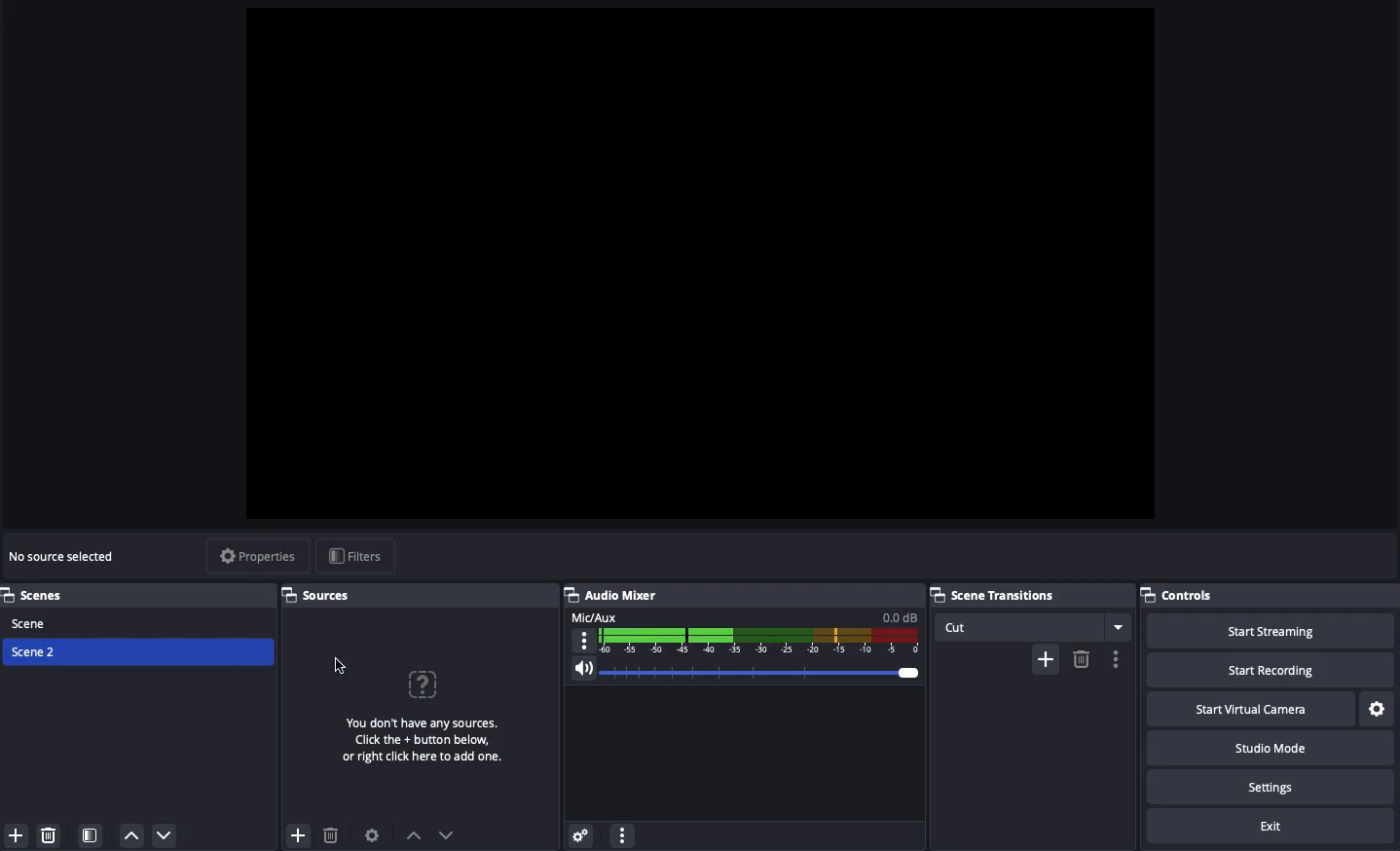  I want to click on Studio mode, so click(1267, 747).